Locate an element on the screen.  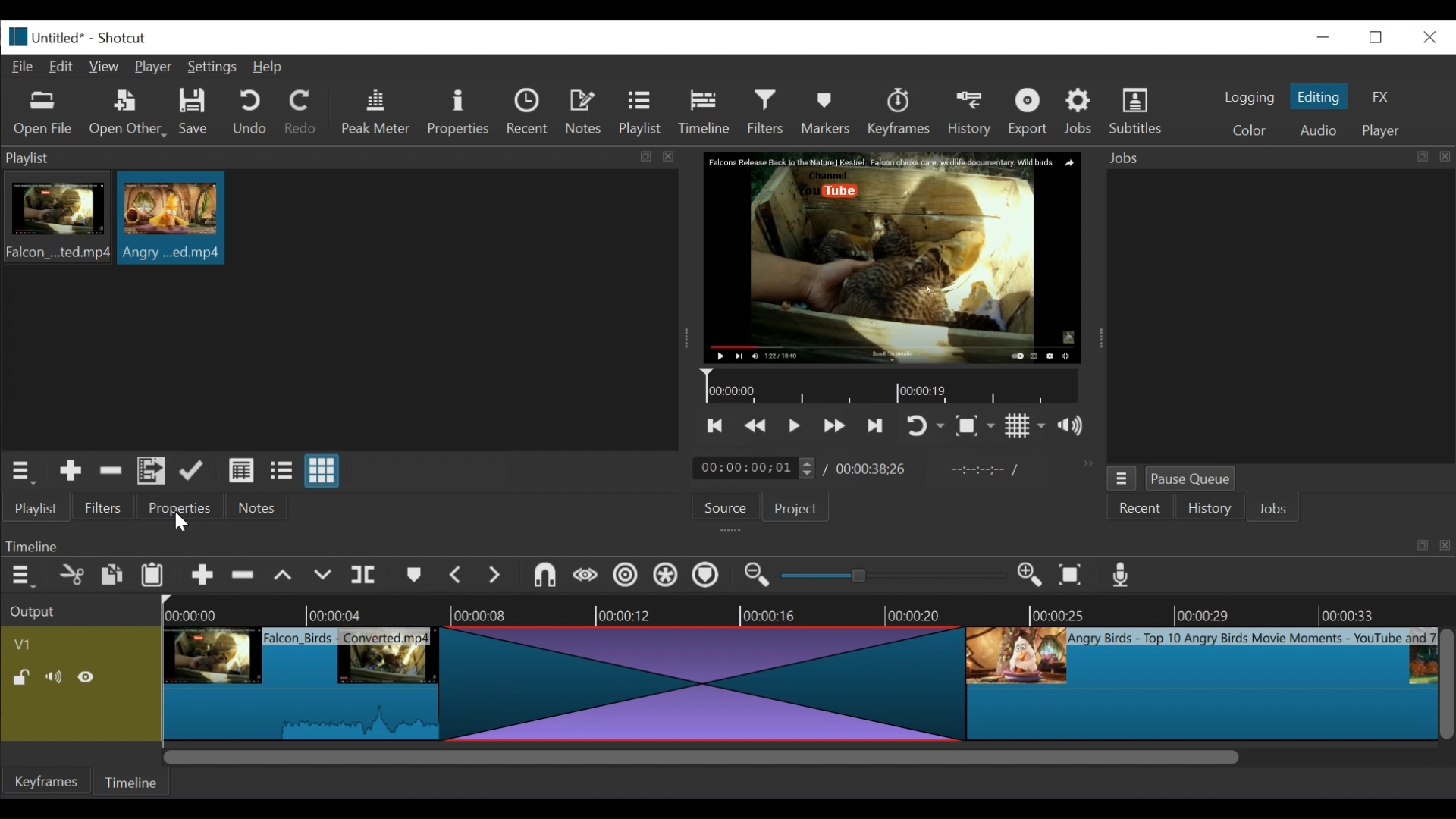
Player is located at coordinates (157, 68).